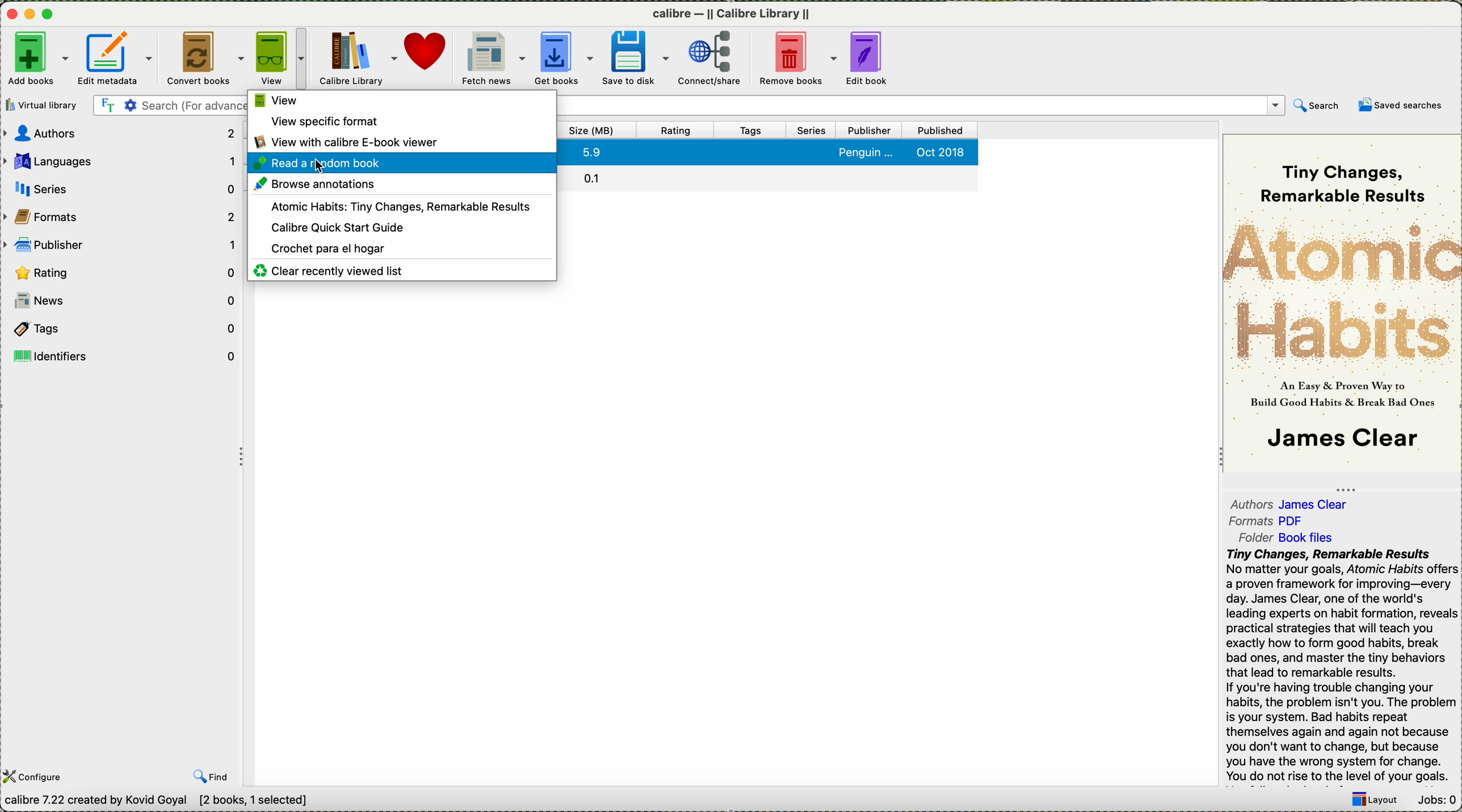 This screenshot has width=1462, height=812. Describe the element at coordinates (563, 58) in the screenshot. I see `get books` at that location.